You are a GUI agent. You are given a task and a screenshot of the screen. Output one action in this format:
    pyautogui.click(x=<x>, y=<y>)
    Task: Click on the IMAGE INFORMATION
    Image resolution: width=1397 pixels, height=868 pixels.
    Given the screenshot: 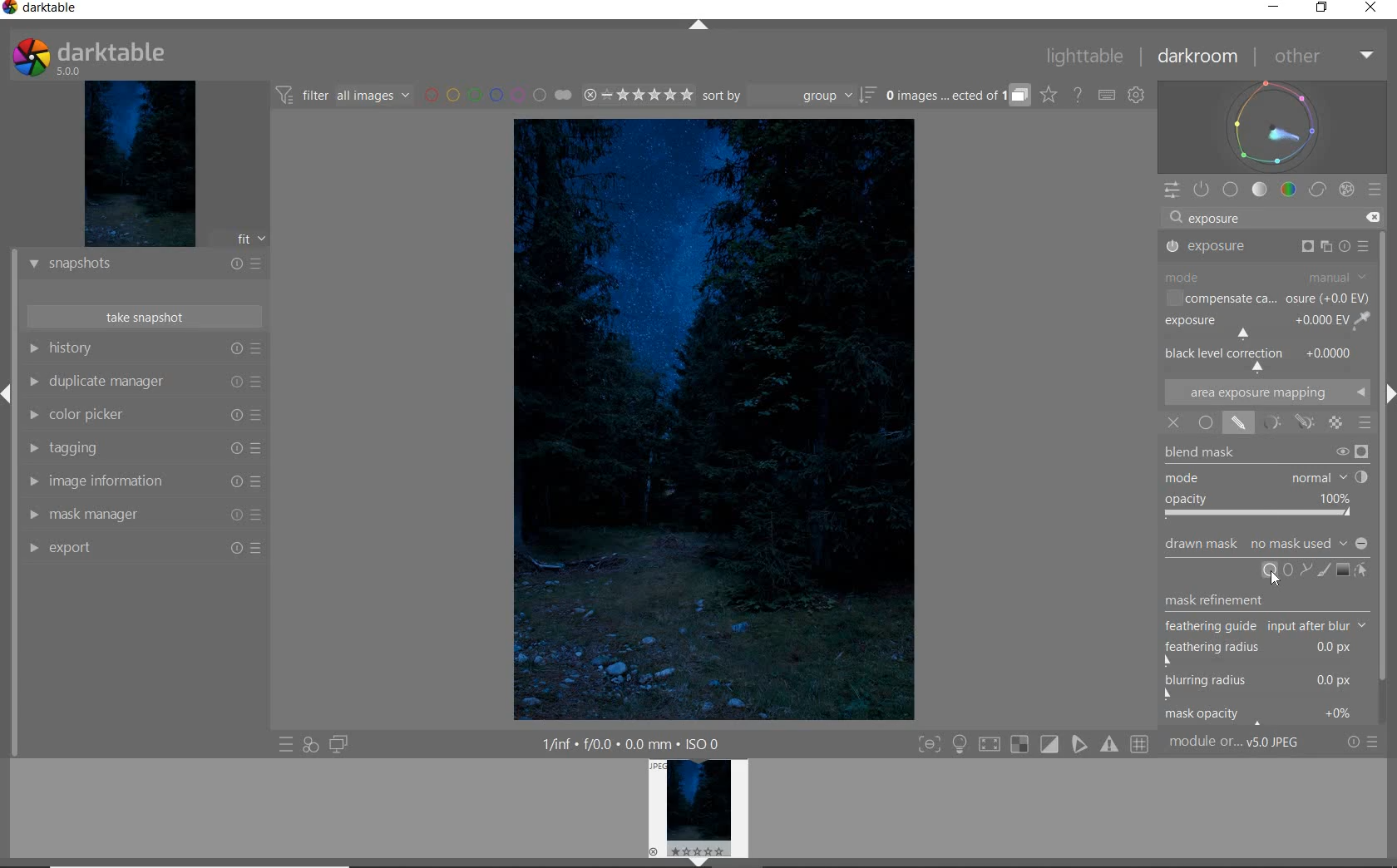 What is the action you would take?
    pyautogui.click(x=141, y=482)
    